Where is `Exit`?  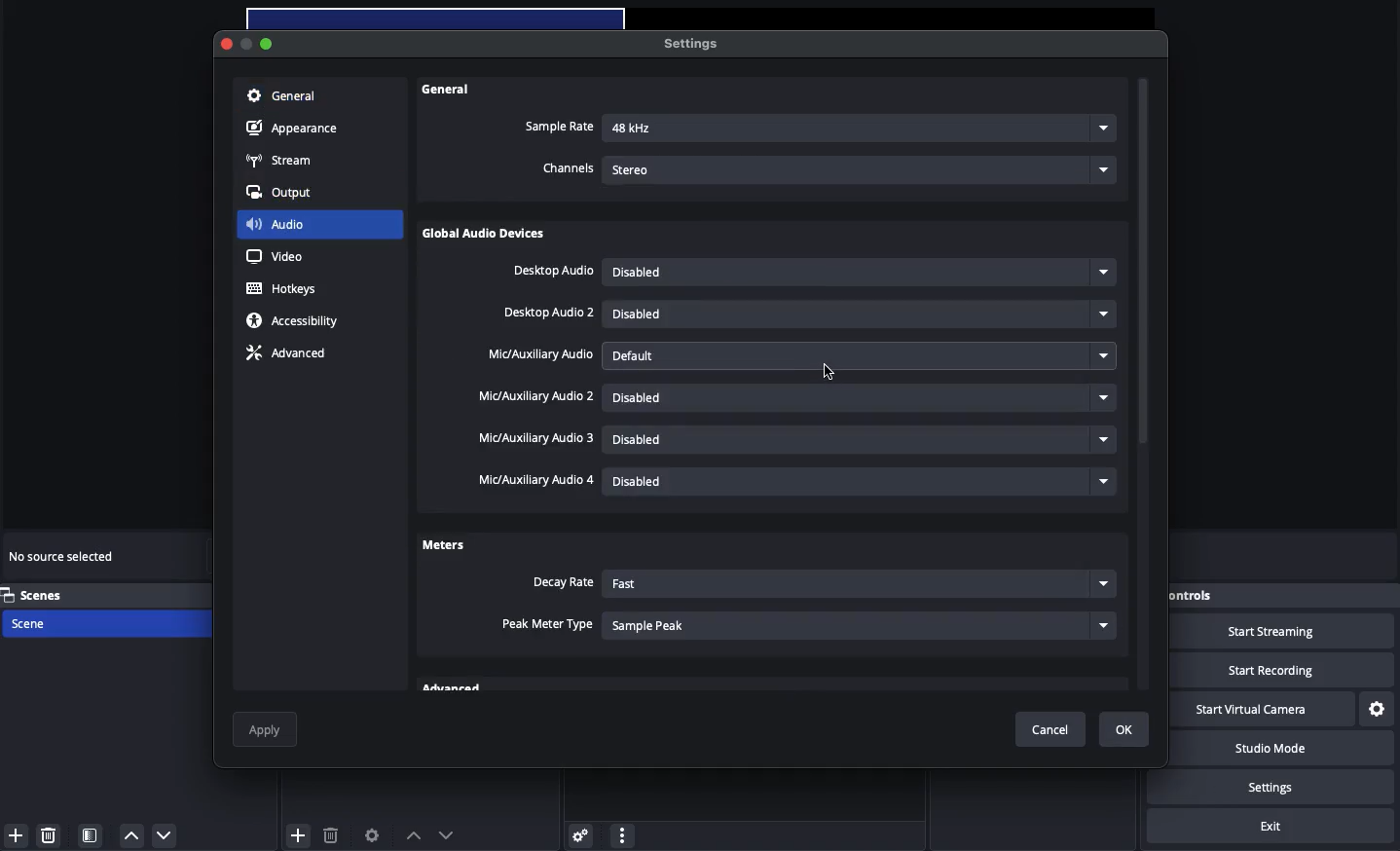
Exit is located at coordinates (1271, 827).